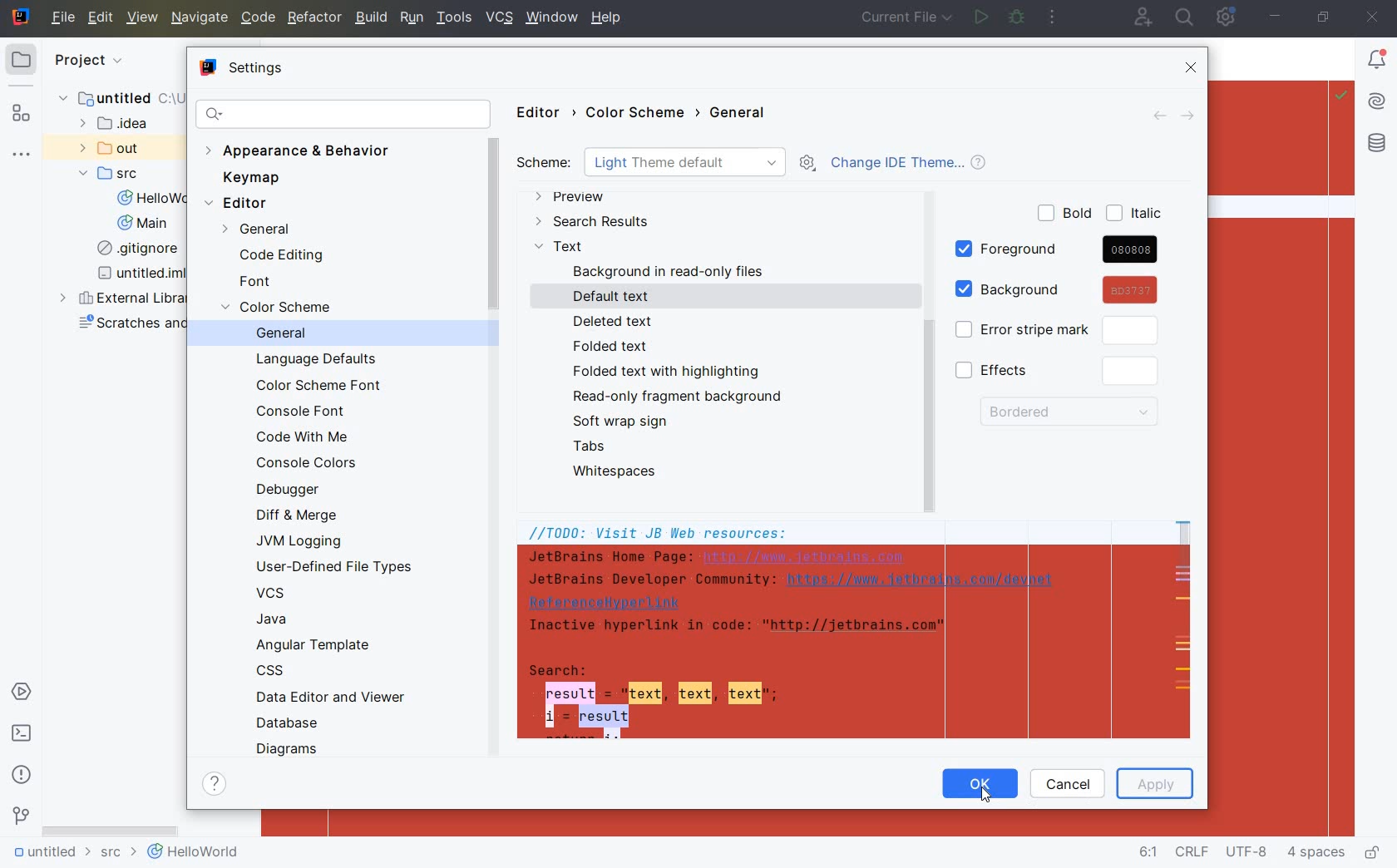 Image resolution: width=1397 pixels, height=868 pixels. I want to click on search everywhere, so click(1184, 17).